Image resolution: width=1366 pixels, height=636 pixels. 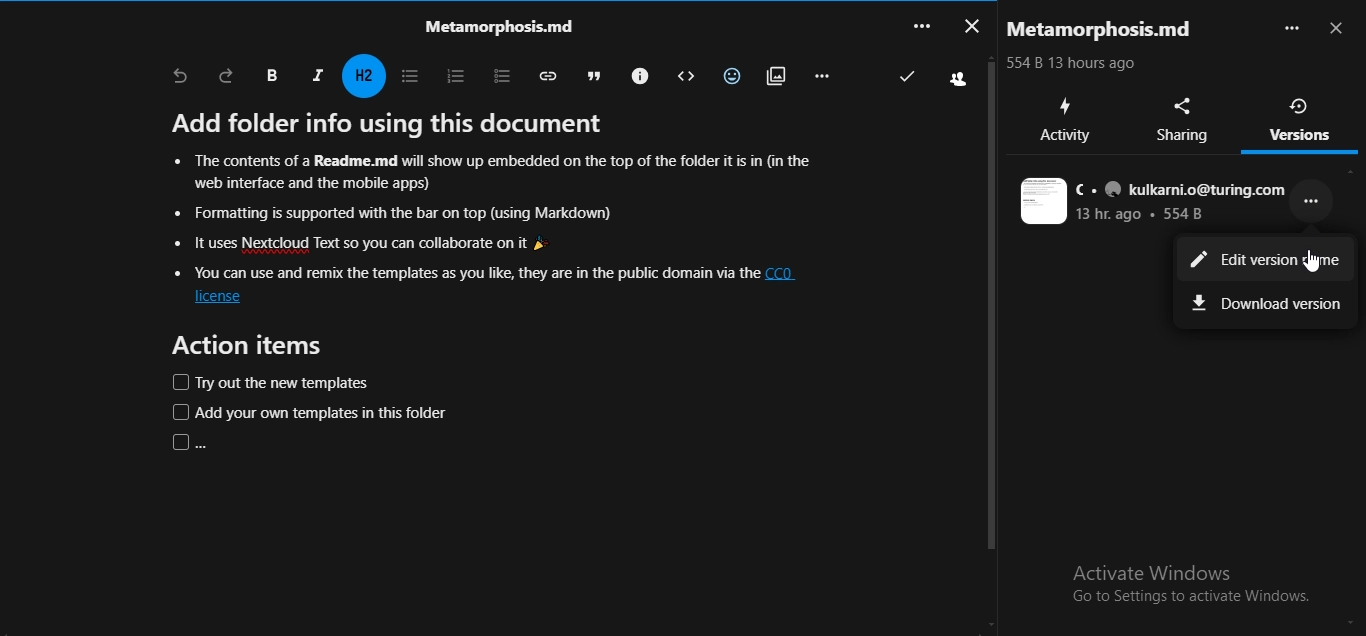 I want to click on more options, so click(x=1291, y=28).